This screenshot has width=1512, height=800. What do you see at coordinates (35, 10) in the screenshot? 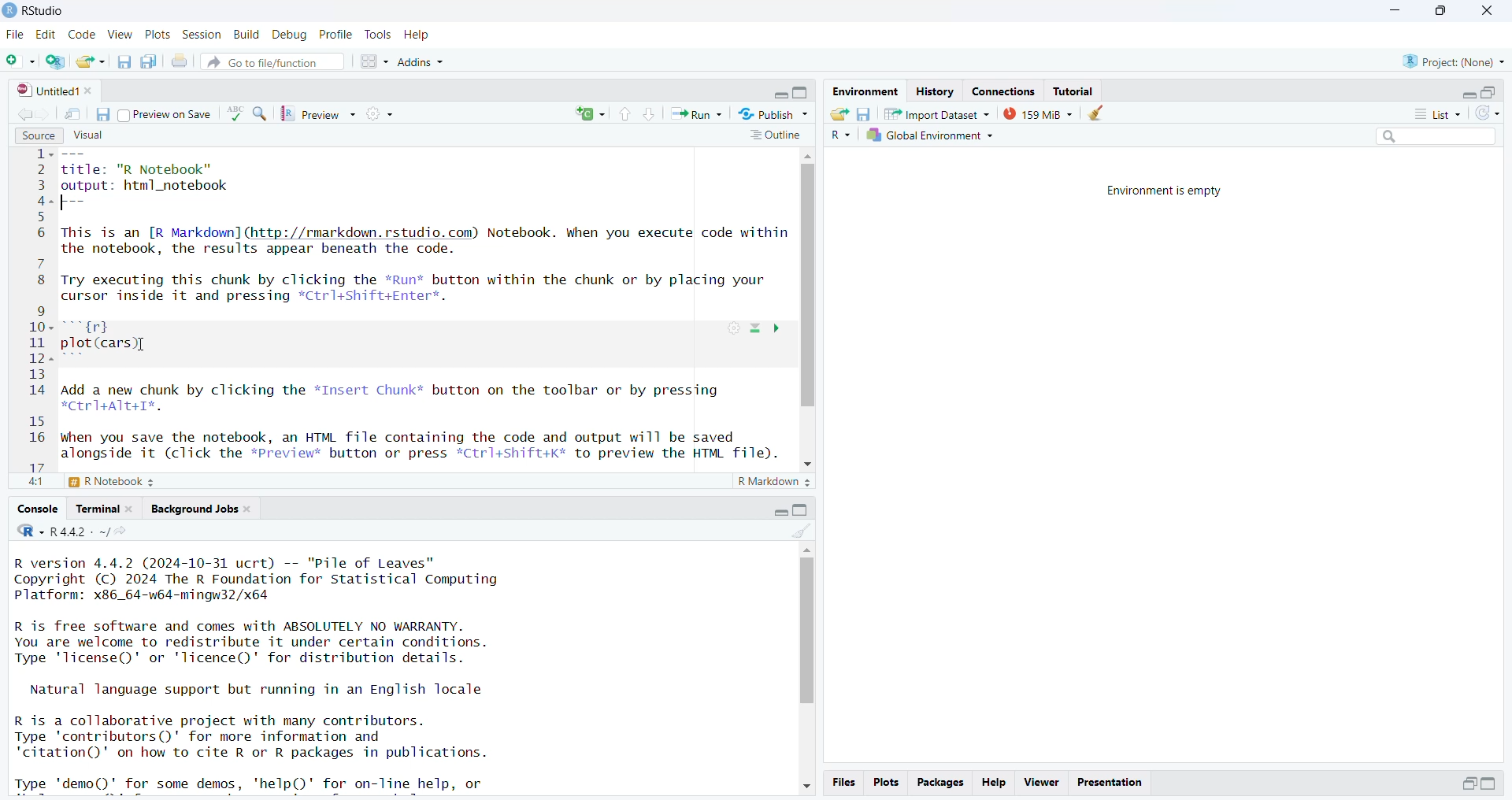
I see `Rstudio` at bounding box center [35, 10].